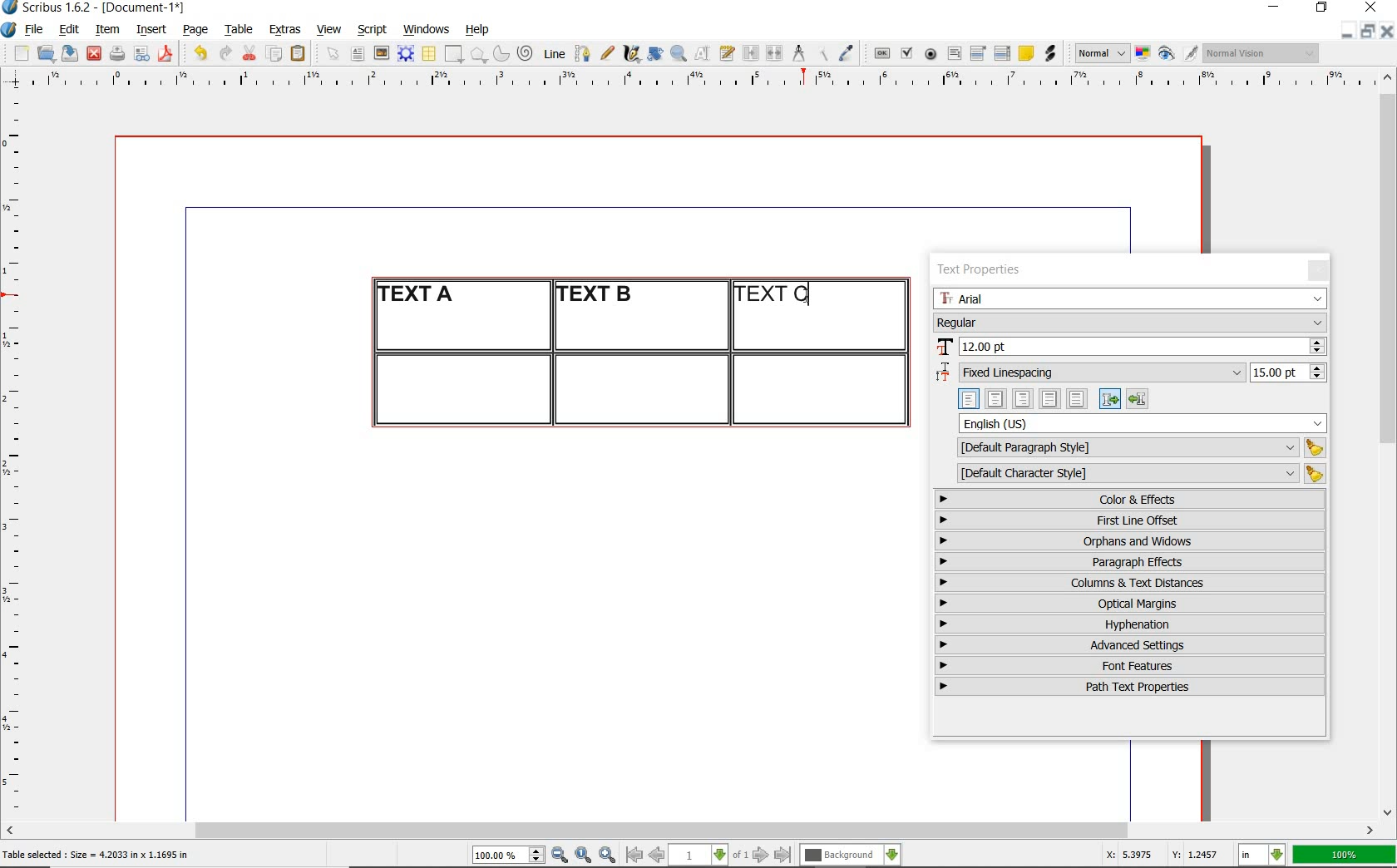  Describe the element at coordinates (70, 29) in the screenshot. I see `edit` at that location.